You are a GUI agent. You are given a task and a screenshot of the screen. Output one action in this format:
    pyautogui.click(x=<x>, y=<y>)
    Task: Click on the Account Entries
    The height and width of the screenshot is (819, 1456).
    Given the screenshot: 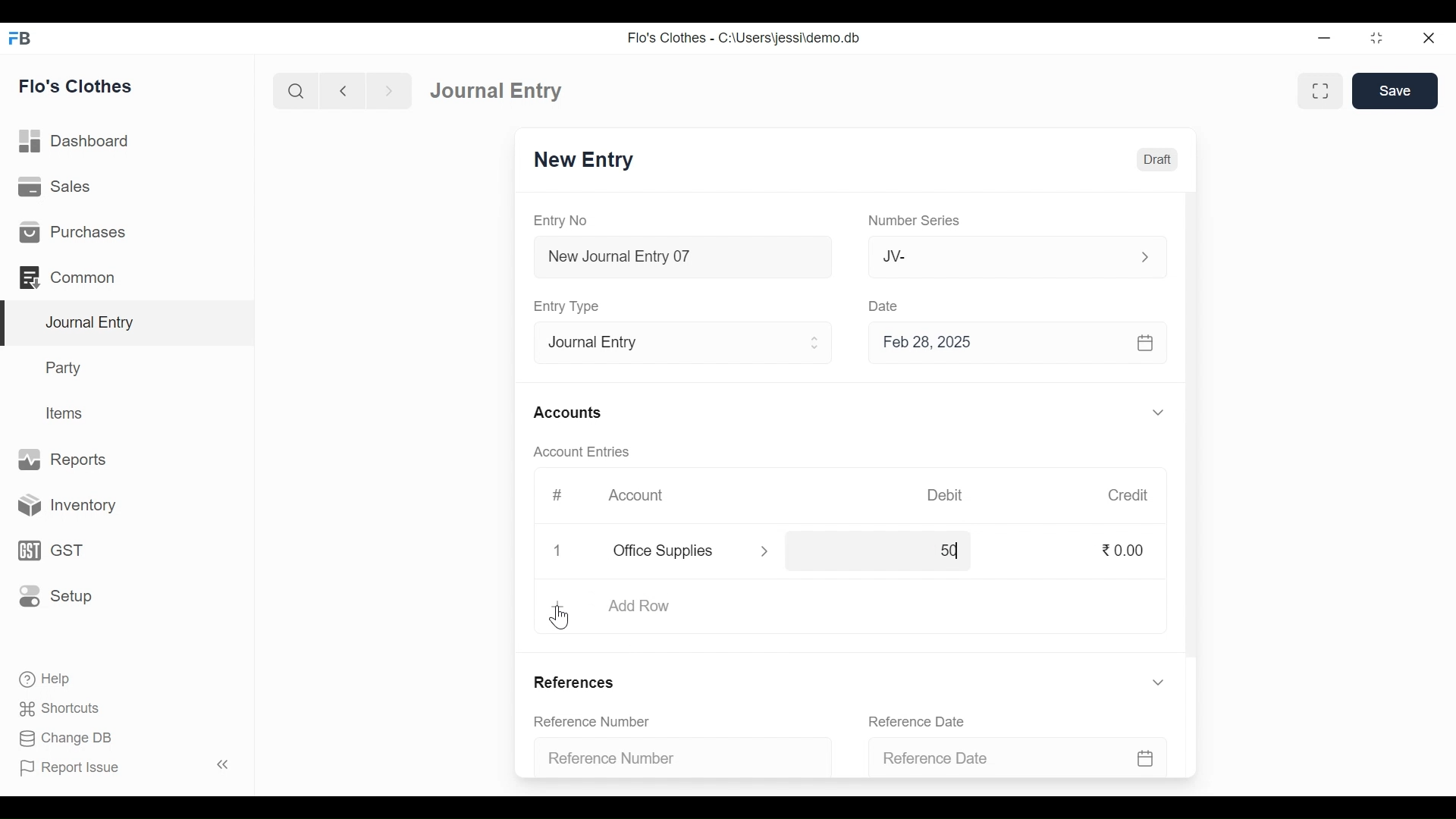 What is the action you would take?
    pyautogui.click(x=581, y=451)
    